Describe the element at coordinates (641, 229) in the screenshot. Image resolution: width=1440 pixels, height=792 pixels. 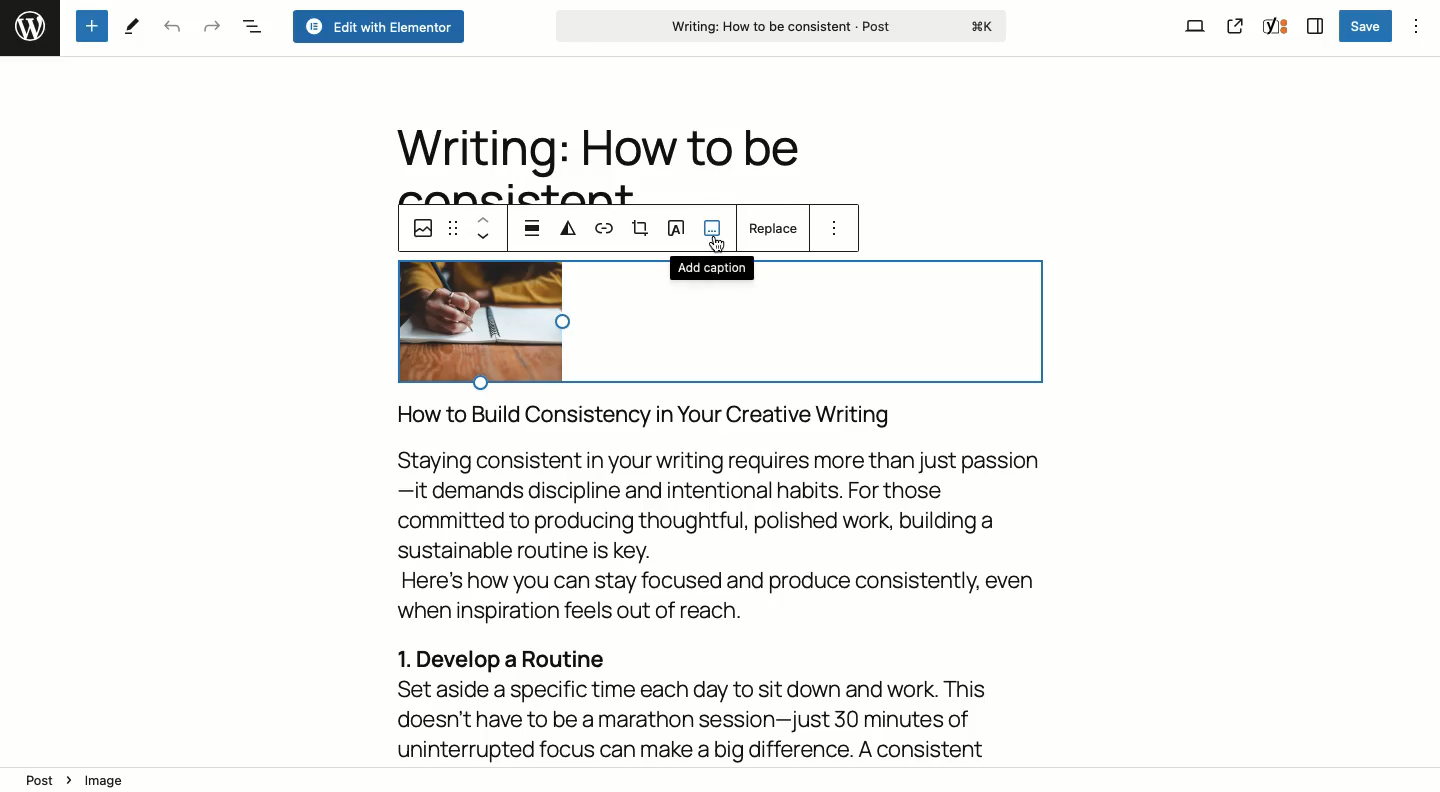
I see `Crop` at that location.